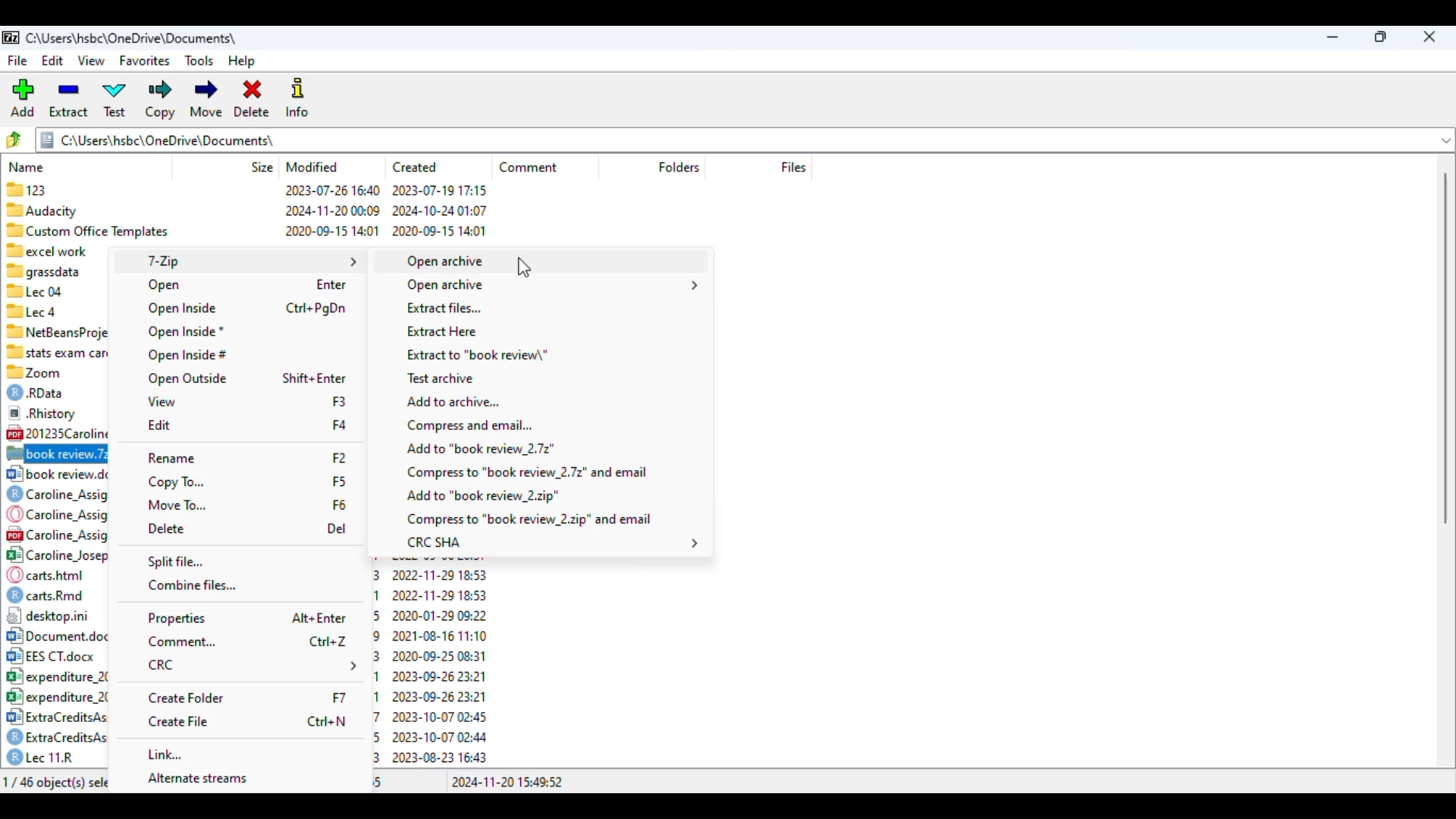 Image resolution: width=1456 pixels, height=819 pixels. Describe the element at coordinates (552, 544) in the screenshot. I see `CRC SHA` at that location.